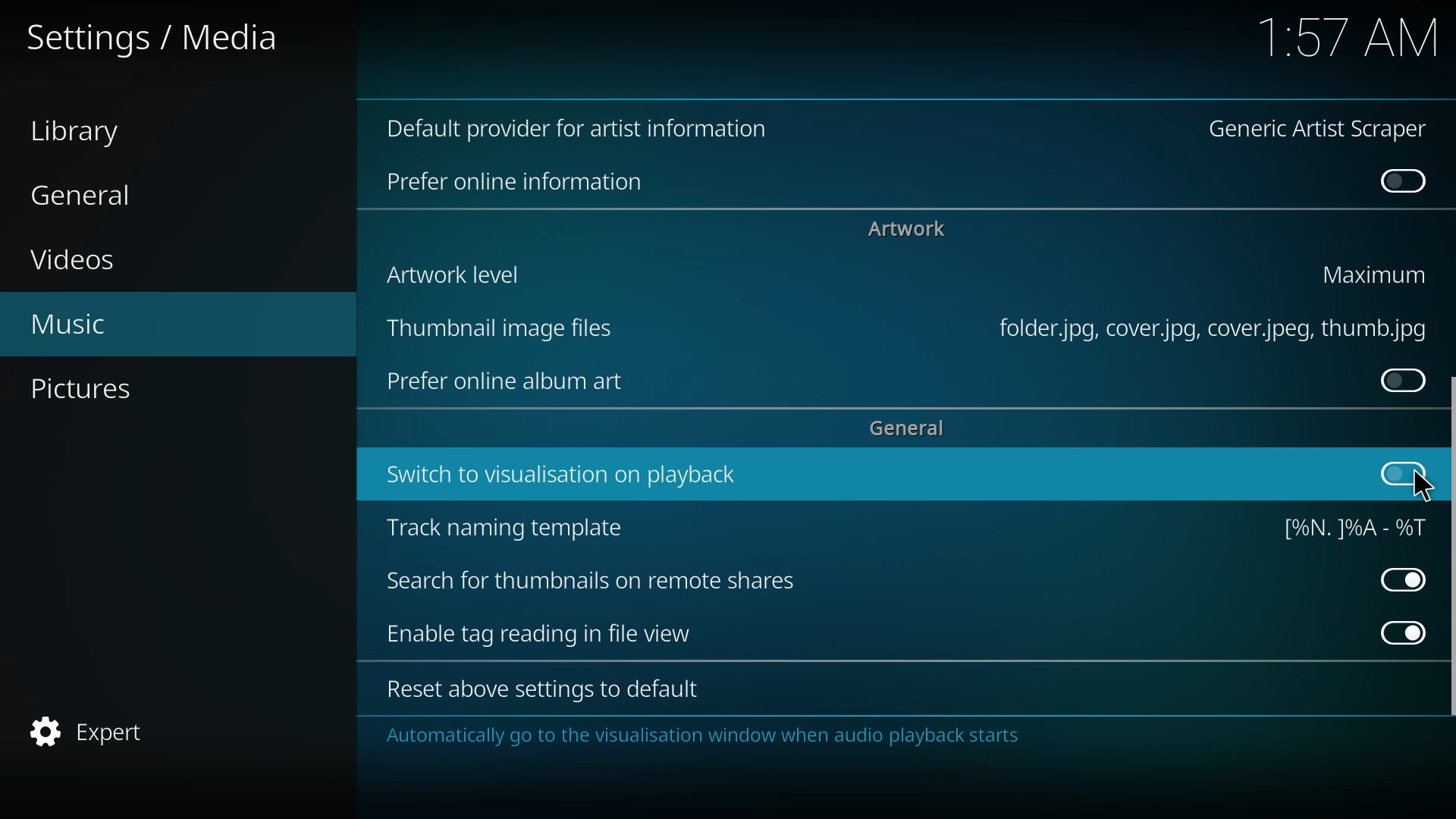 The height and width of the screenshot is (819, 1456). Describe the element at coordinates (447, 273) in the screenshot. I see `artwork level` at that location.